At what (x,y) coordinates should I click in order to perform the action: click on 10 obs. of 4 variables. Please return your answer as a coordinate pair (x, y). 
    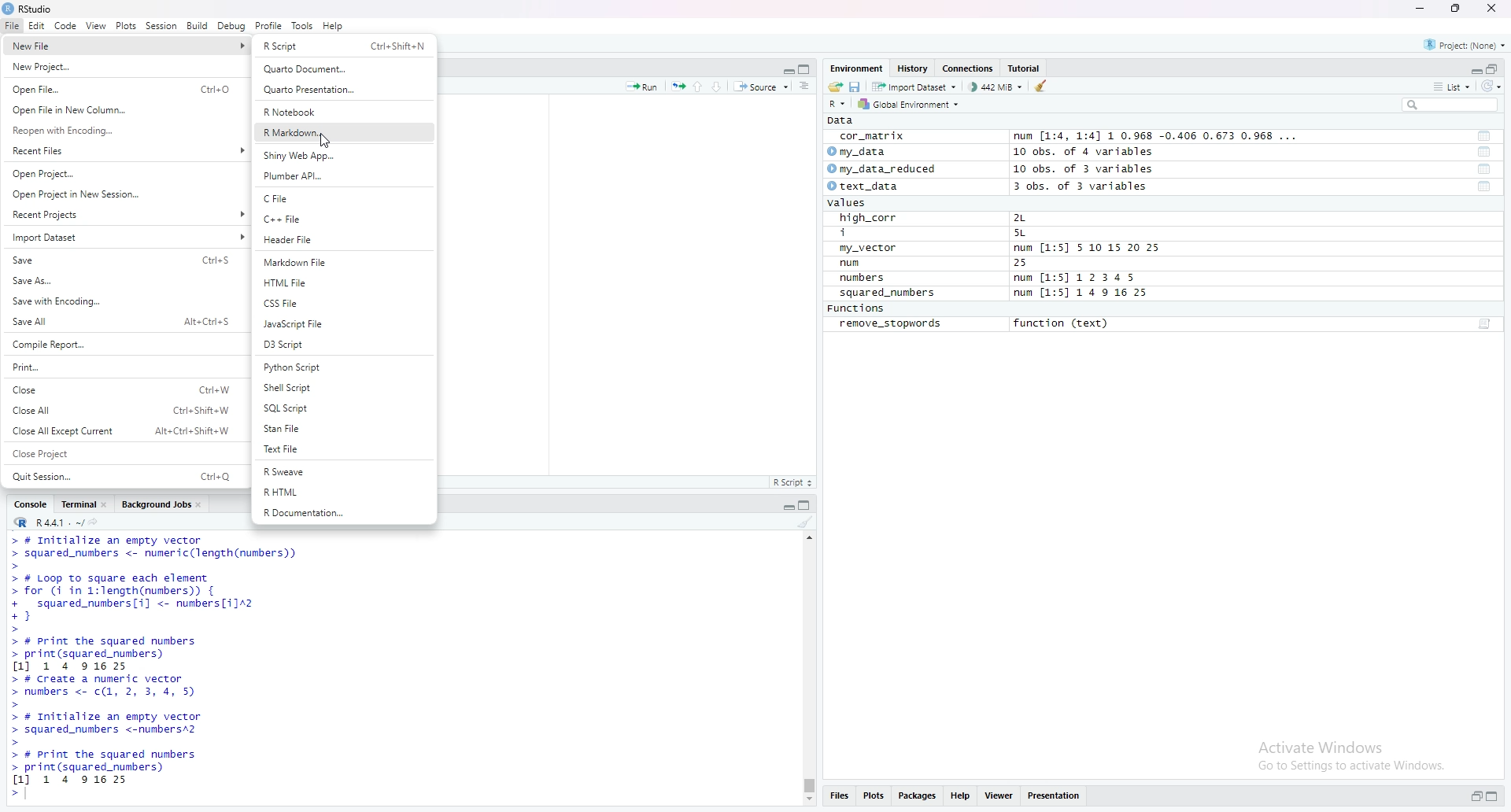
    Looking at the image, I should click on (1097, 151).